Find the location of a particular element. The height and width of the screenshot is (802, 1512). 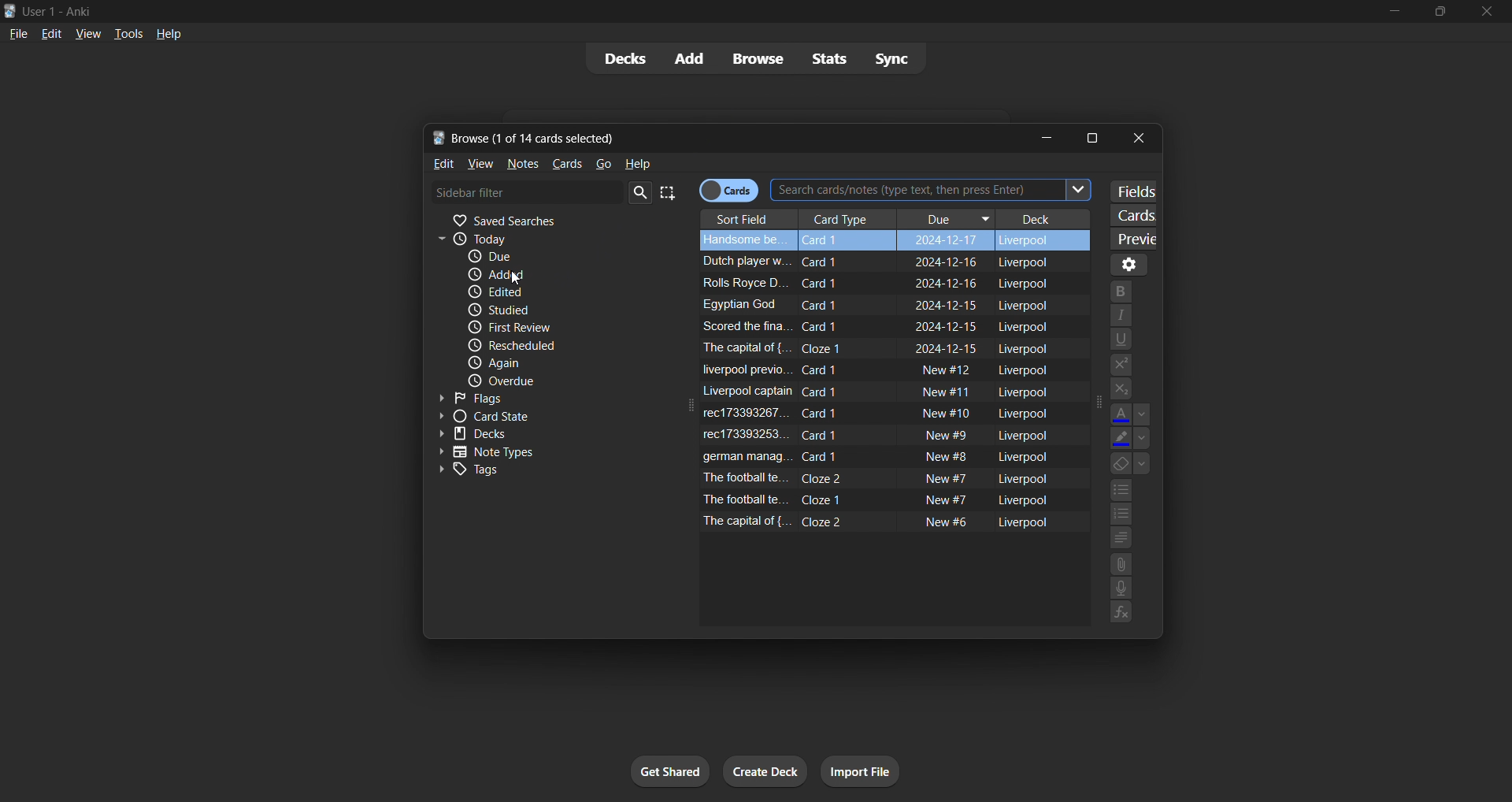

card type column is located at coordinates (844, 215).